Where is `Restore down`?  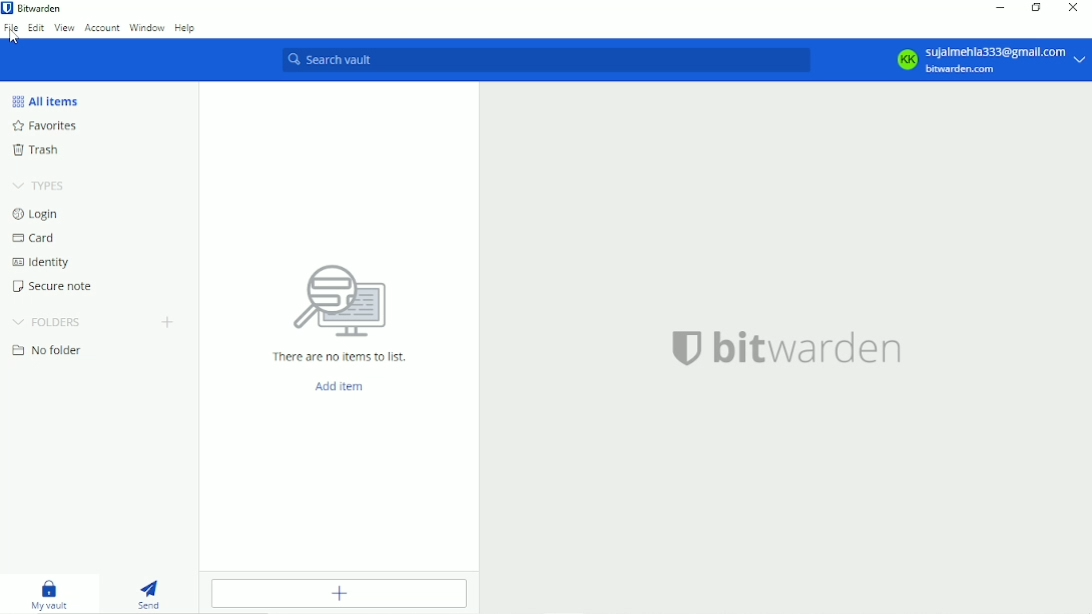
Restore down is located at coordinates (1038, 9).